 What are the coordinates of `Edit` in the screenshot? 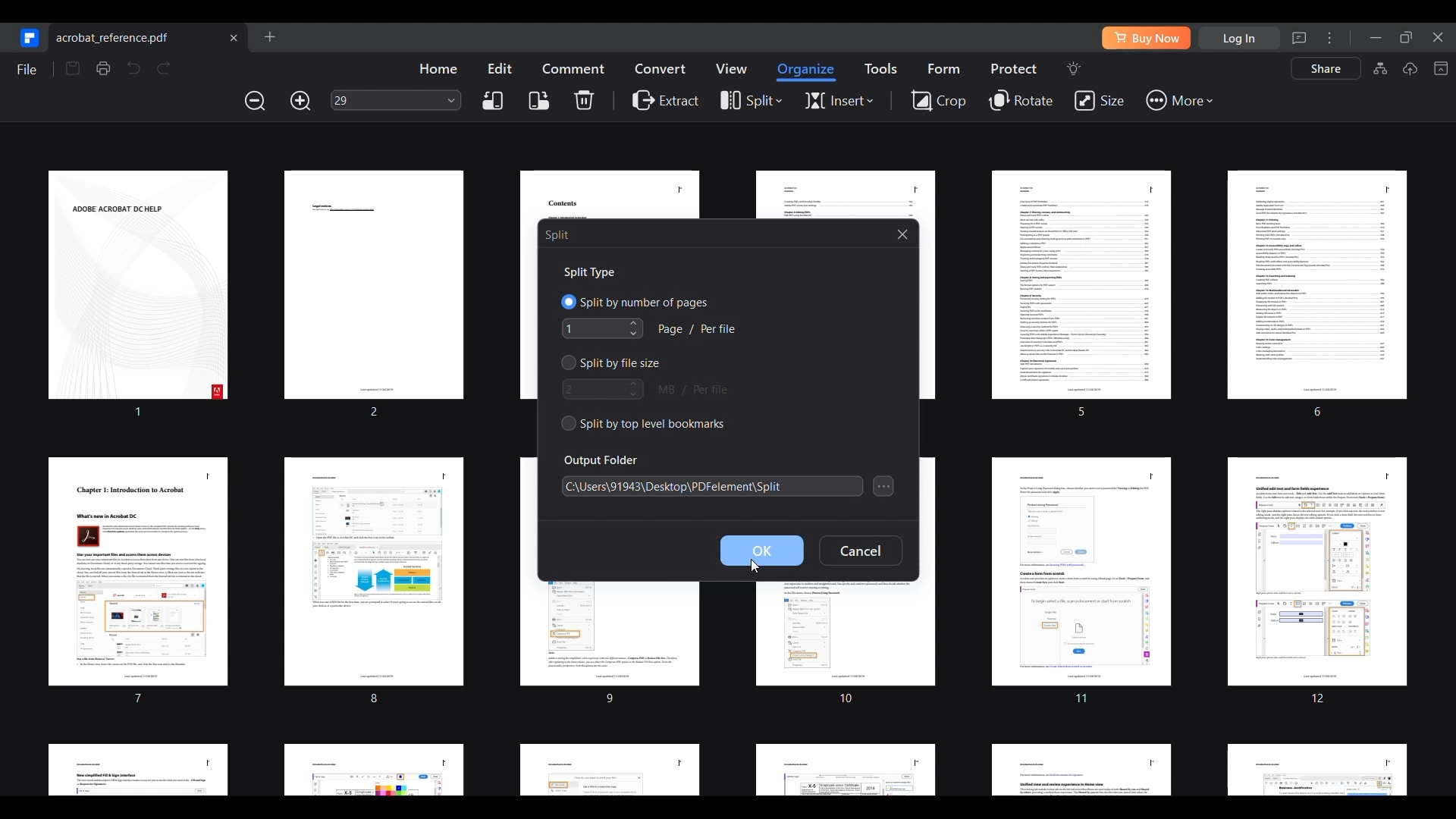 It's located at (500, 67).